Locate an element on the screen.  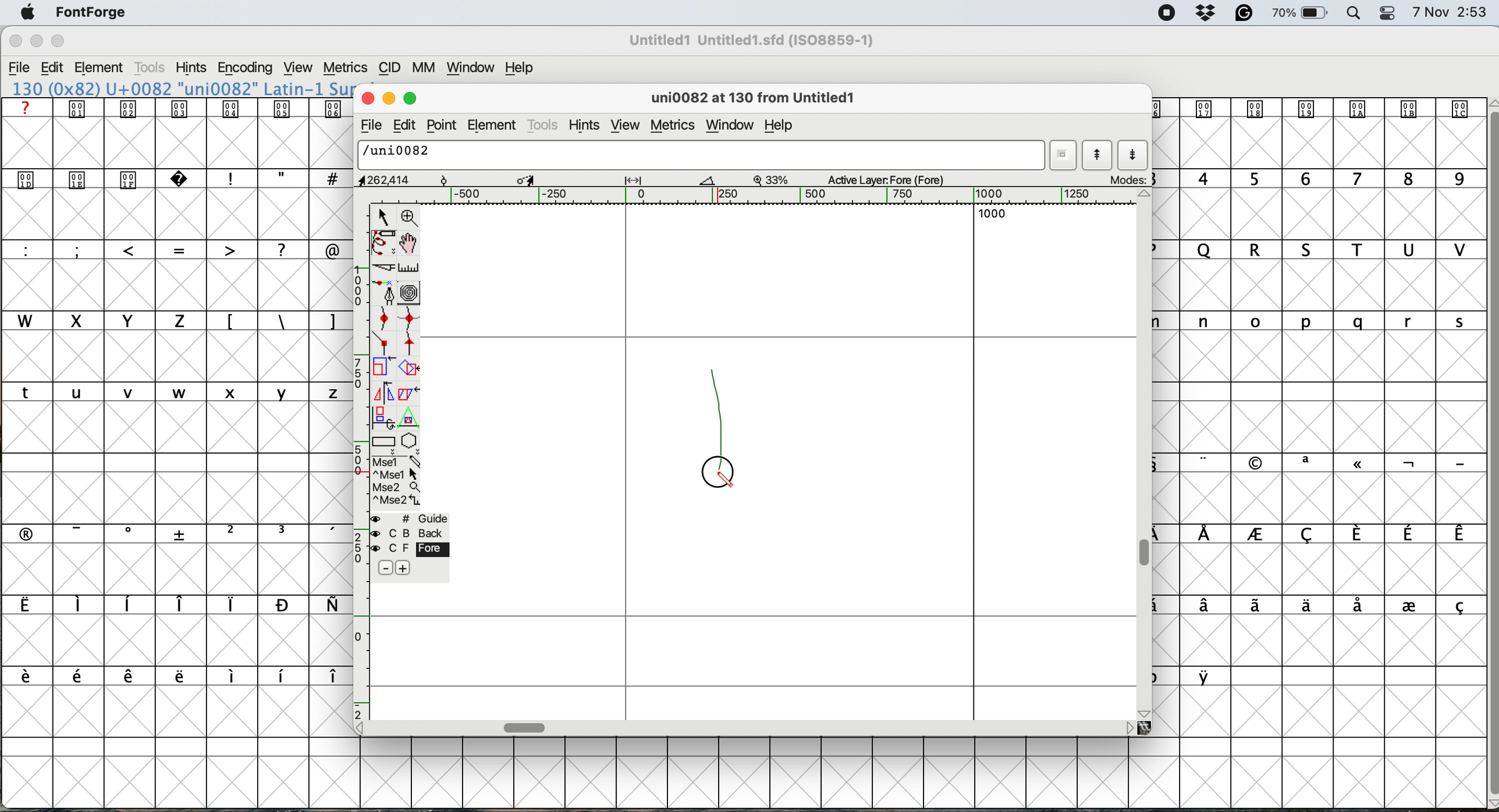
fontforge is located at coordinates (91, 12).